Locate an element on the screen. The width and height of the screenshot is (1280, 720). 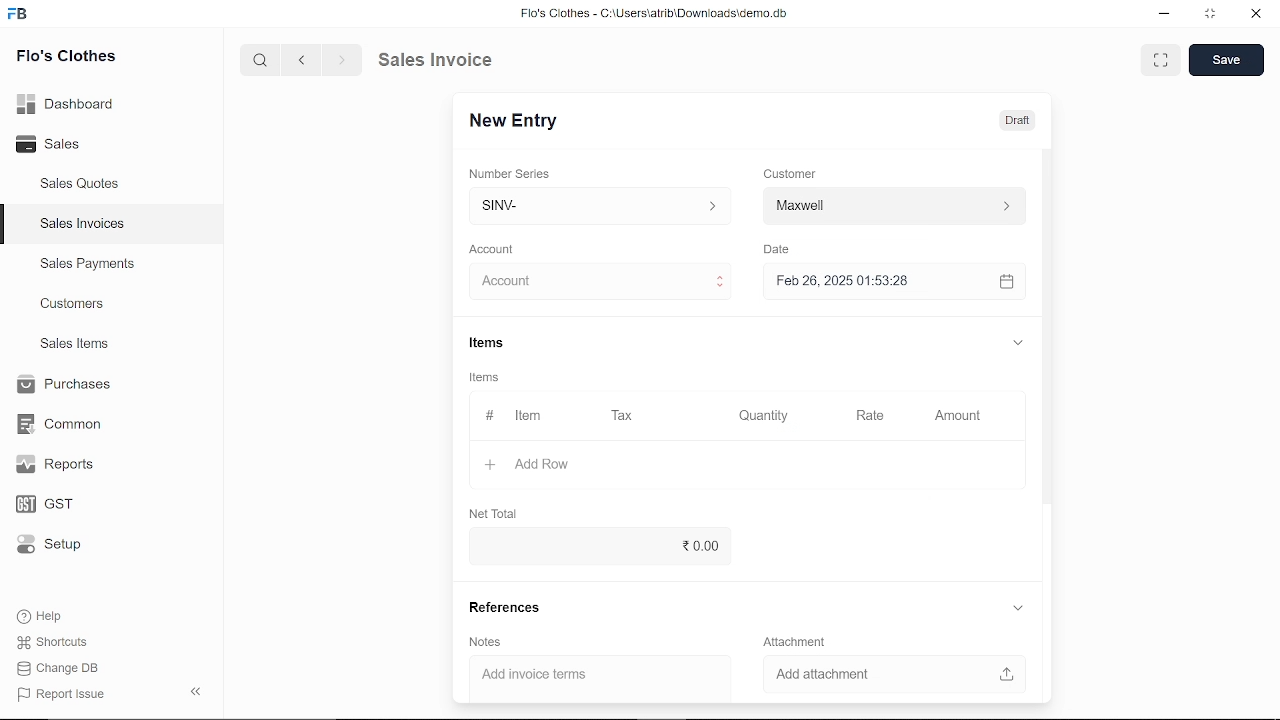
vertical scrollbar is located at coordinates (1048, 329).